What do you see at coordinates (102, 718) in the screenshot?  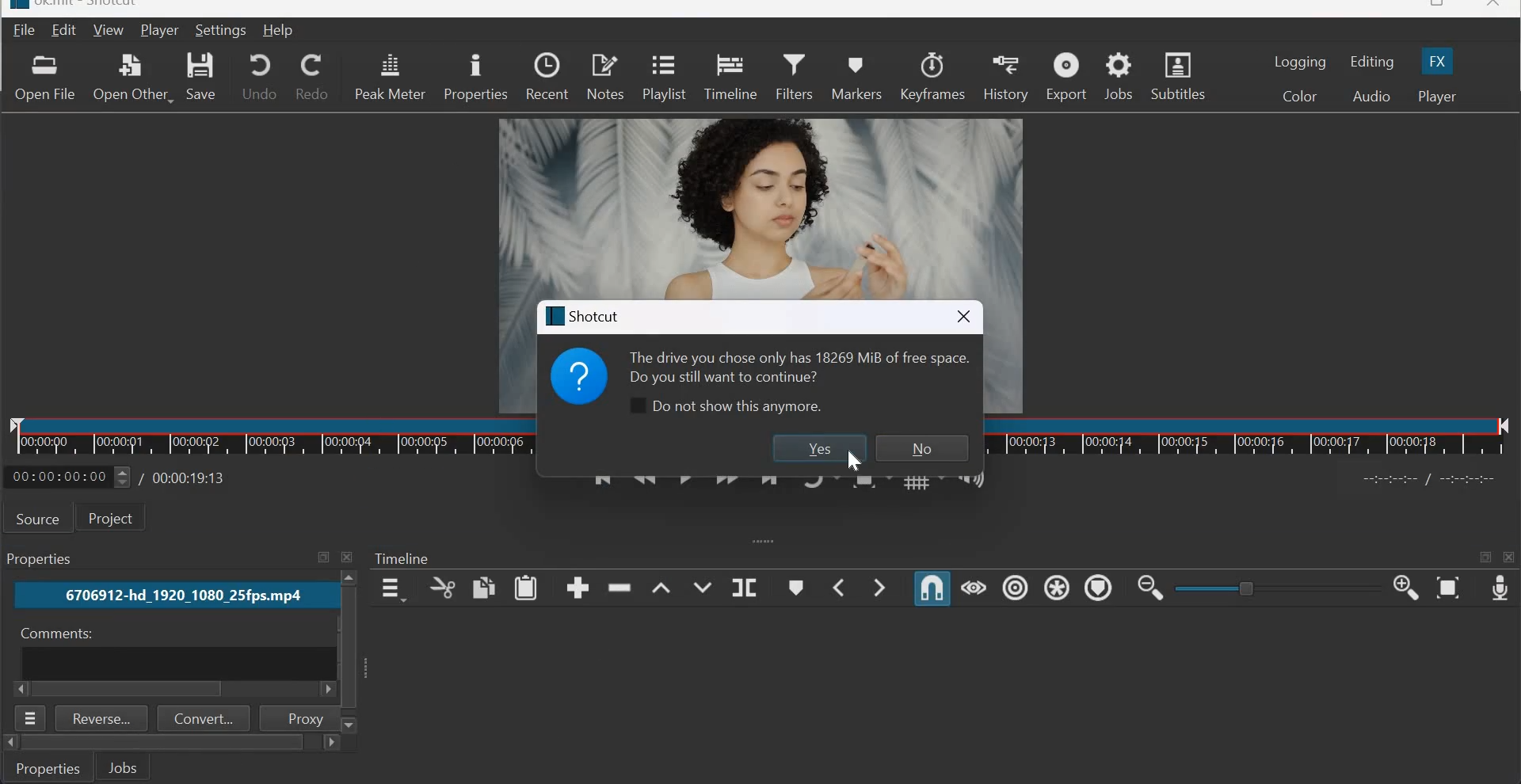 I see `reverse` at bounding box center [102, 718].